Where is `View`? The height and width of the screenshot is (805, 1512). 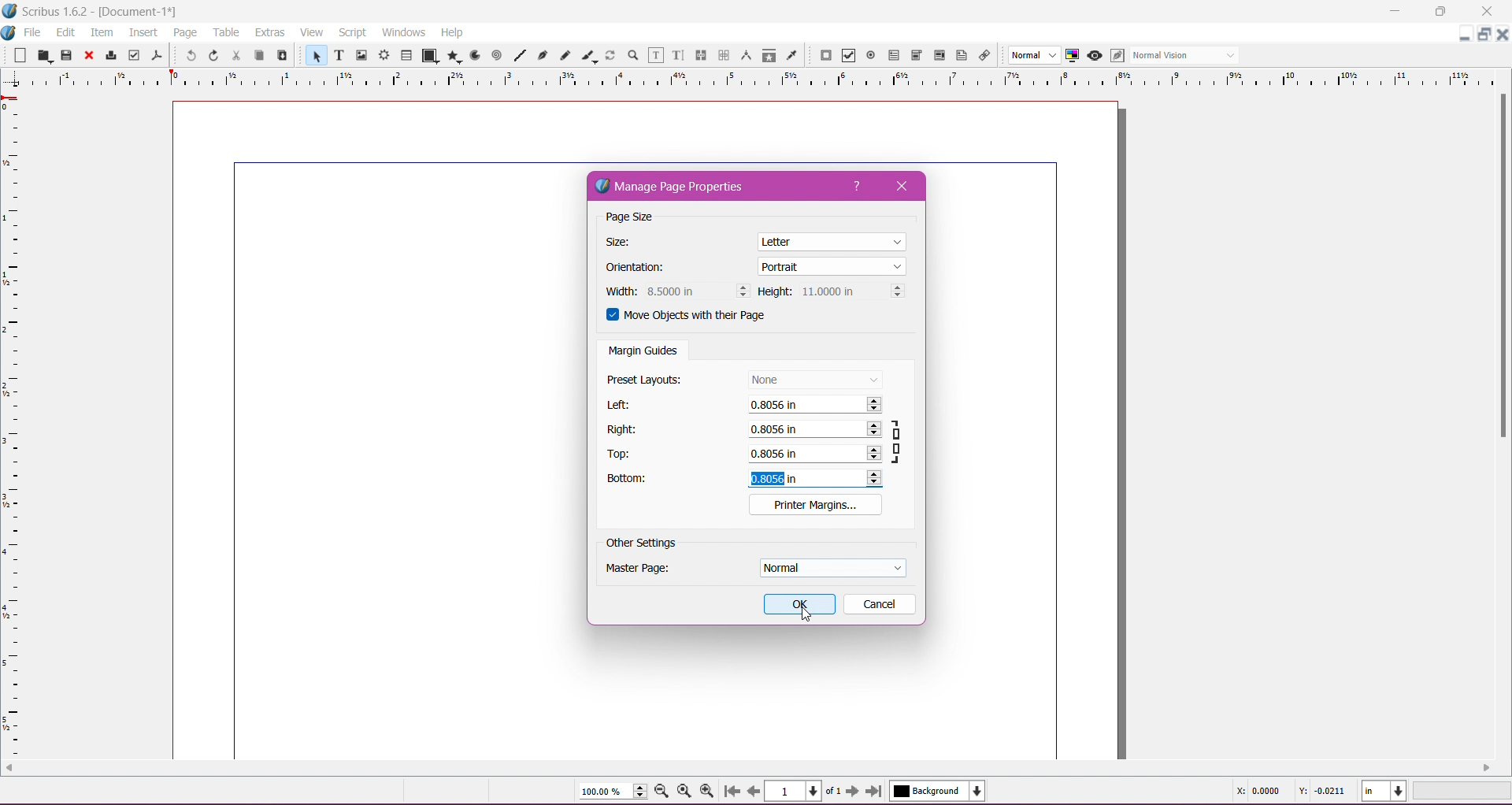
View is located at coordinates (311, 32).